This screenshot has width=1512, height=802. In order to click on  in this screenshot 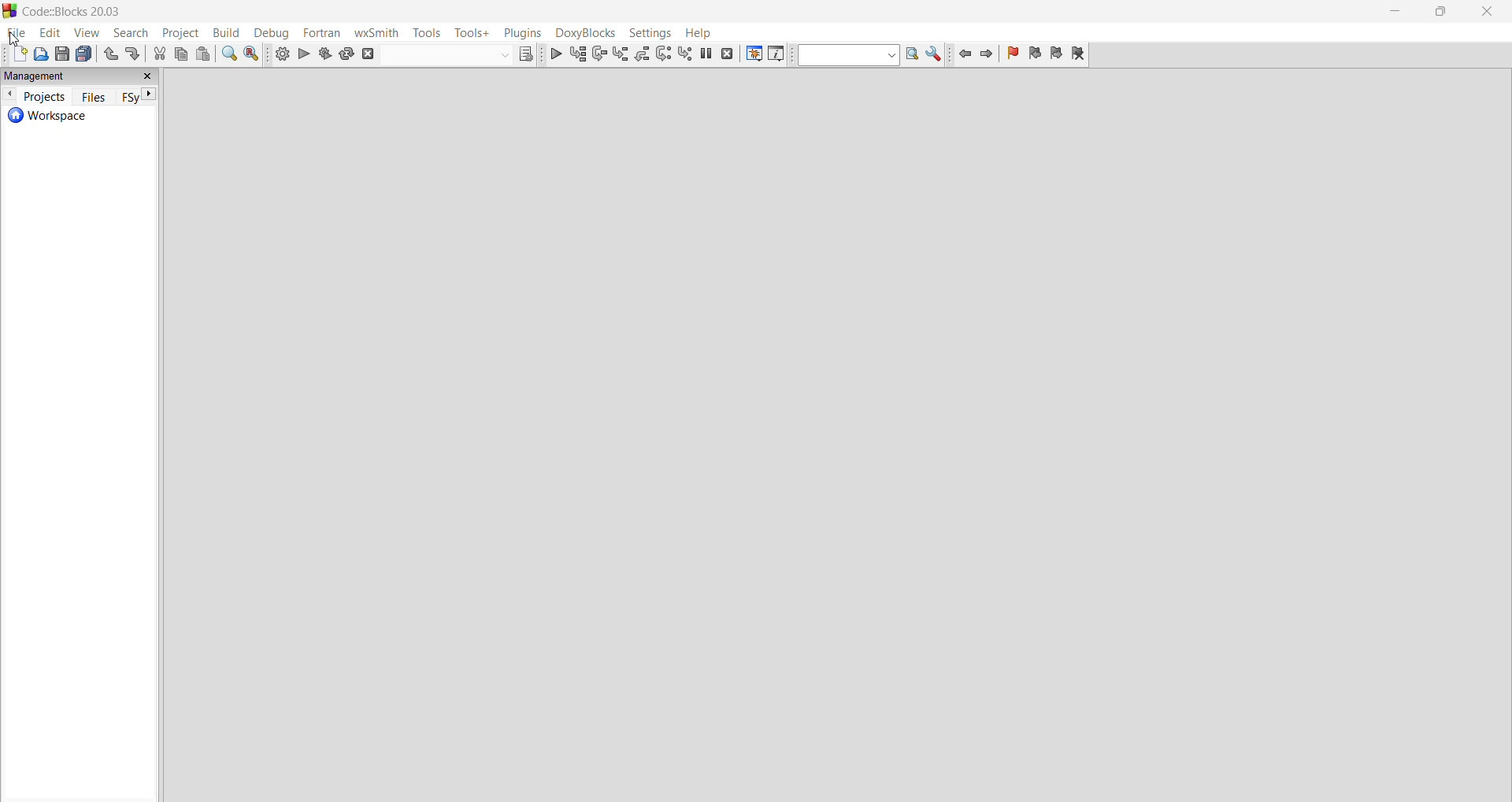, I will do `click(584, 32)`.